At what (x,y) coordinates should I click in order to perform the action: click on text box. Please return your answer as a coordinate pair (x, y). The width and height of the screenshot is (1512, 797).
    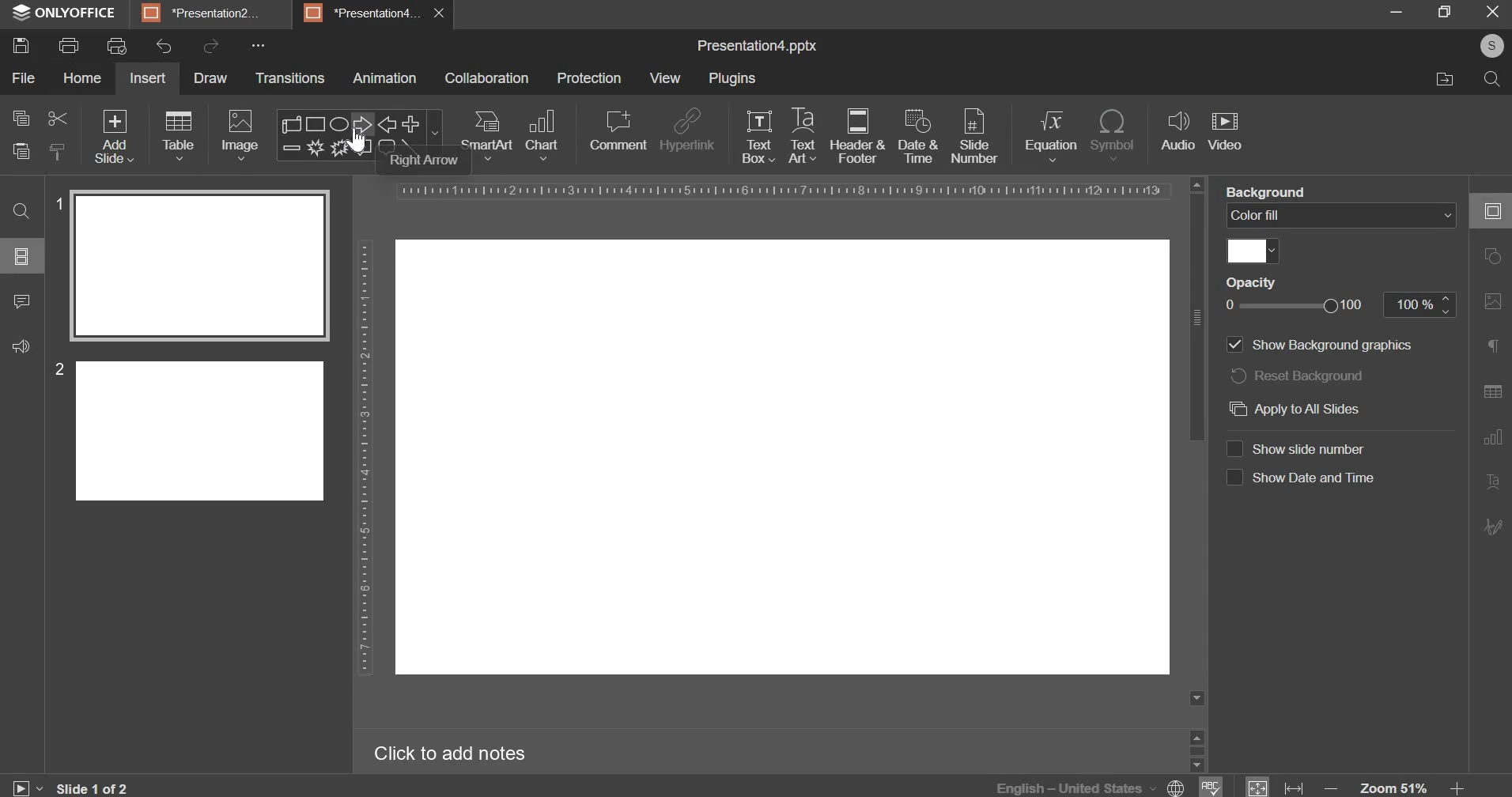
    Looking at the image, I should click on (760, 138).